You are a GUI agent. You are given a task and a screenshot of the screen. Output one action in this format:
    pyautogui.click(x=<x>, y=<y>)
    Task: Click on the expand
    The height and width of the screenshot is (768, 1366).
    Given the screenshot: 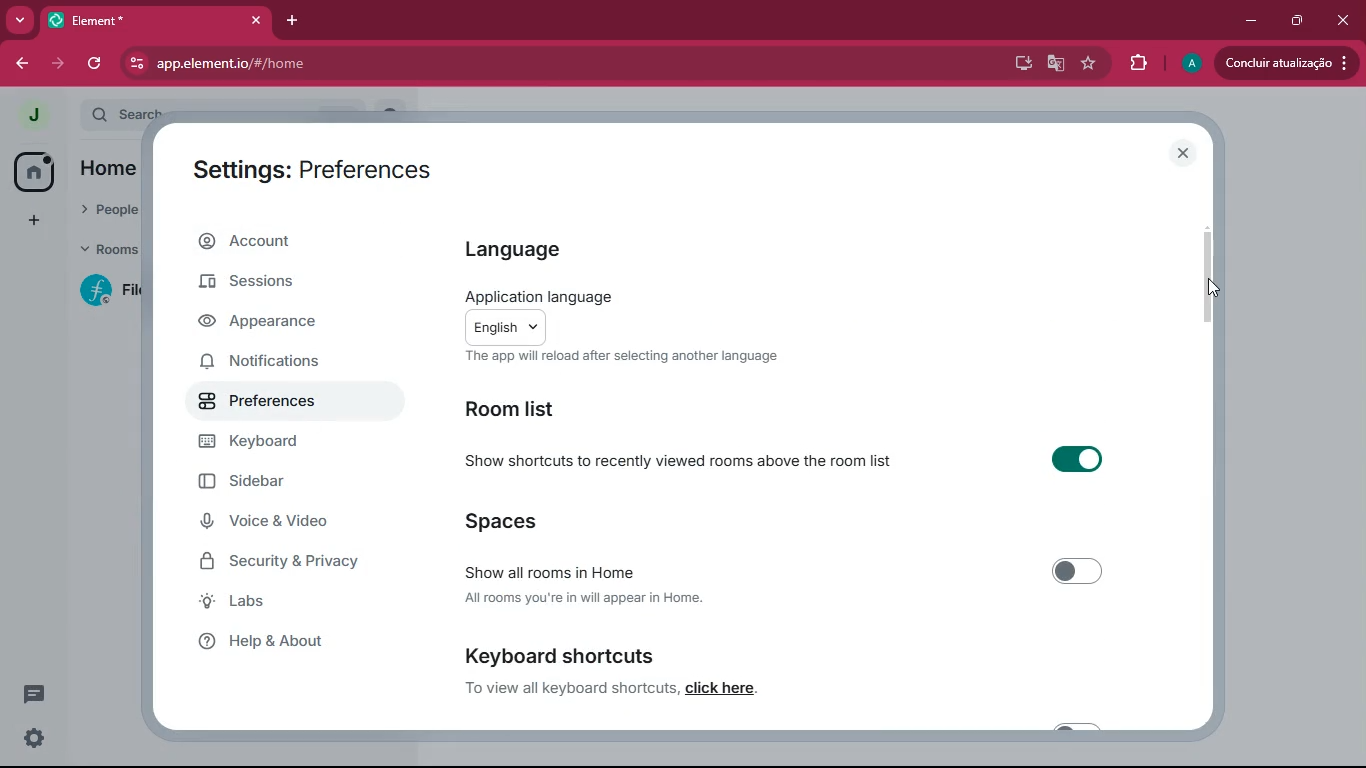 What is the action you would take?
    pyautogui.click(x=67, y=116)
    